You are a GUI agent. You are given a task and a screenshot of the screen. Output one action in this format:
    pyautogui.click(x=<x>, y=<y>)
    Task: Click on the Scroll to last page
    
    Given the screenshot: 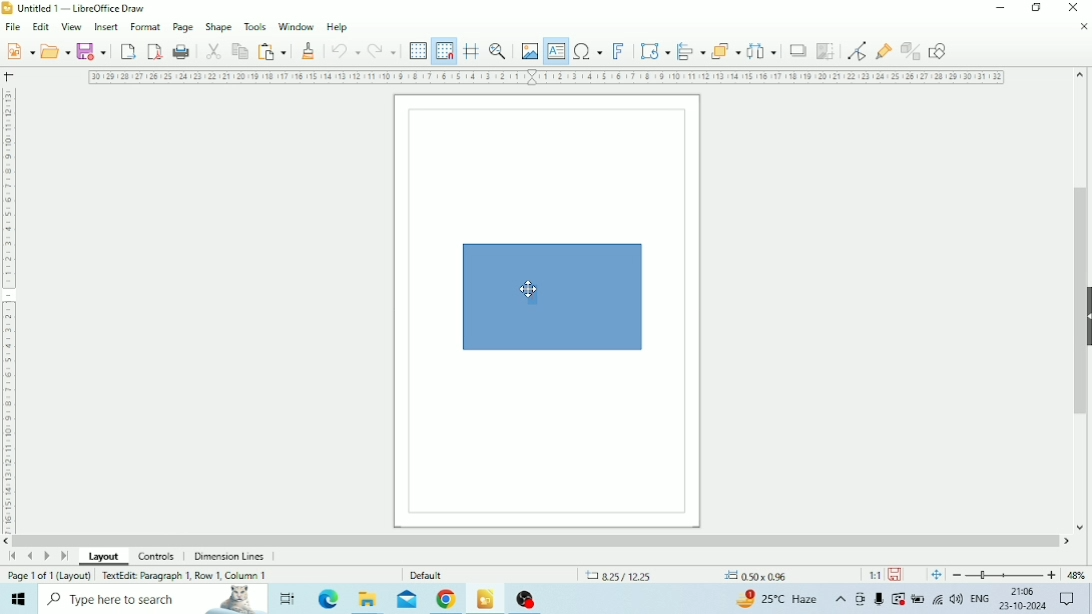 What is the action you would take?
    pyautogui.click(x=64, y=556)
    